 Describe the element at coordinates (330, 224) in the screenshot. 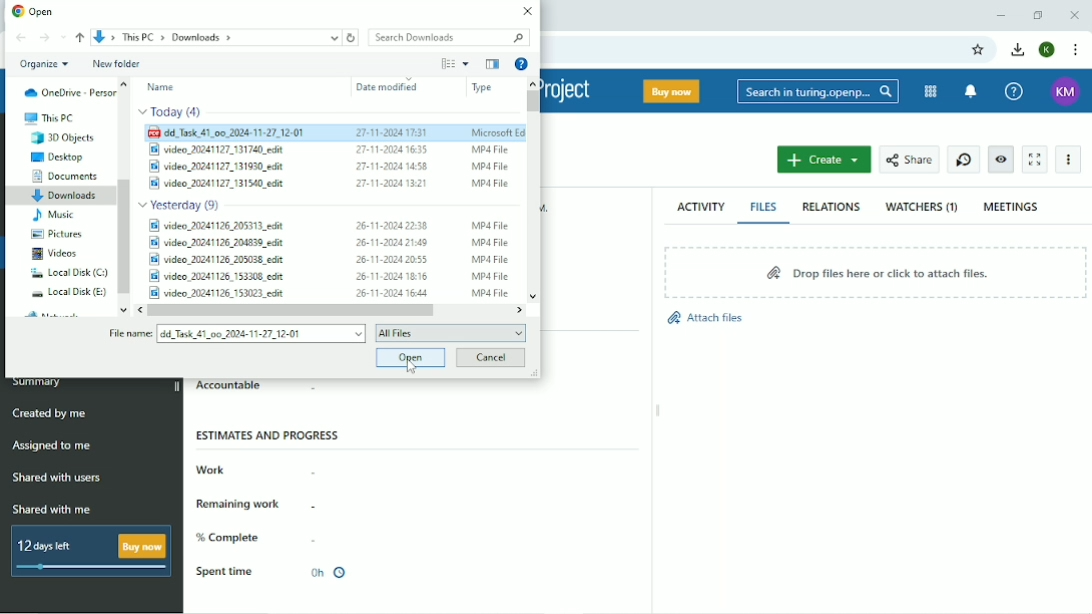

I see `Video file` at that location.